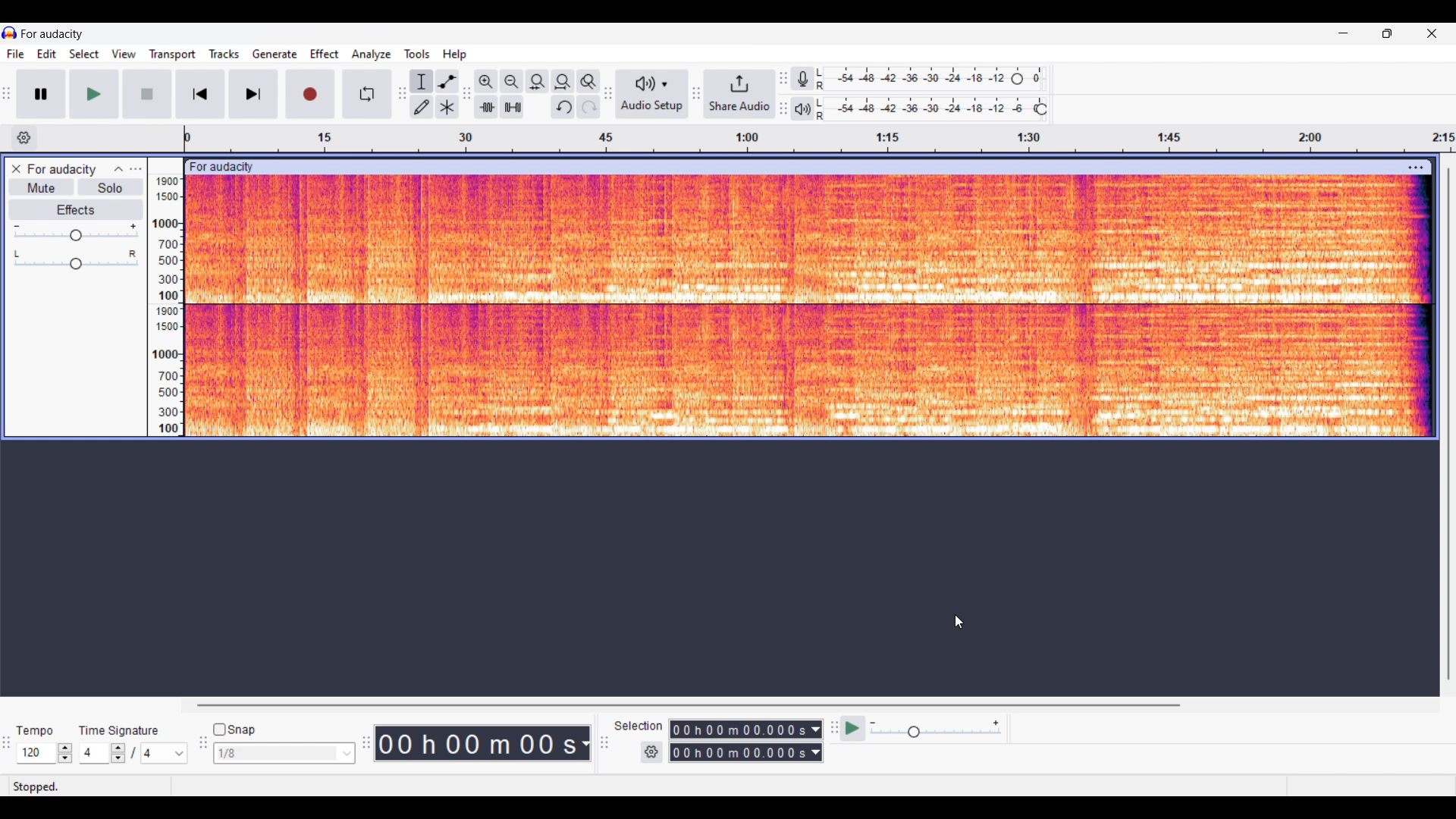  I want to click on Tools menu, so click(417, 54).